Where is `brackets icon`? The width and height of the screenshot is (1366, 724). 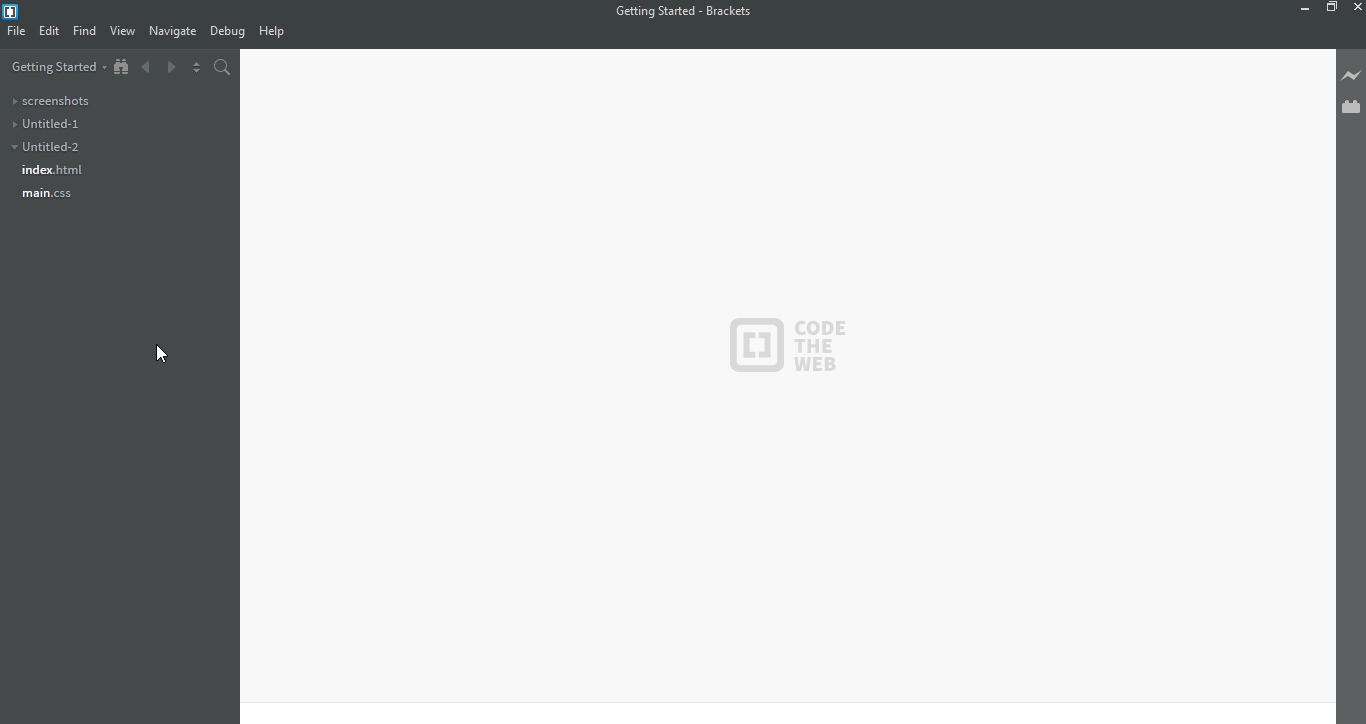
brackets icon is located at coordinates (14, 9).